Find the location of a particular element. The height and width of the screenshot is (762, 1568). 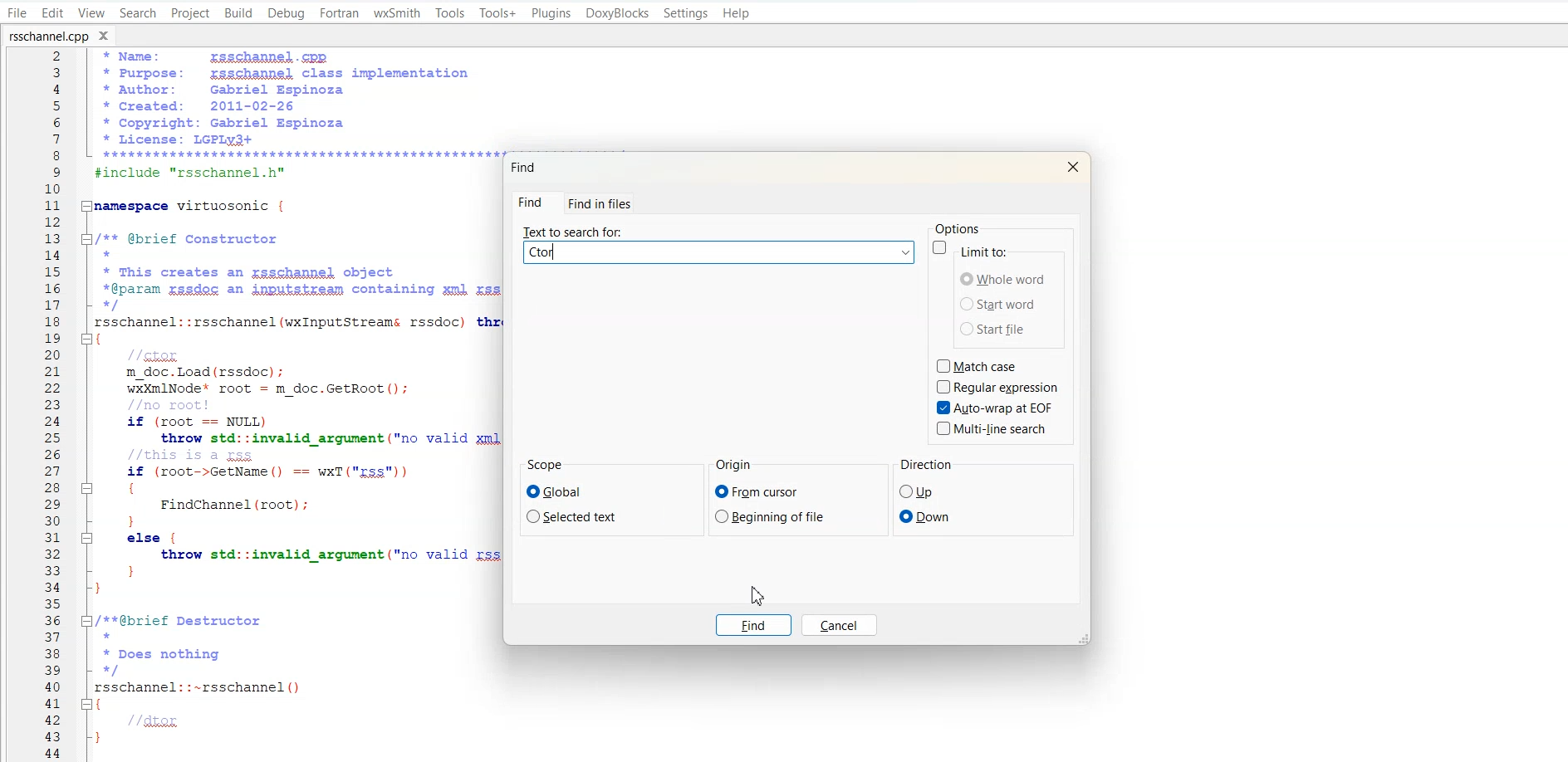

Collapse is located at coordinates (88, 539).